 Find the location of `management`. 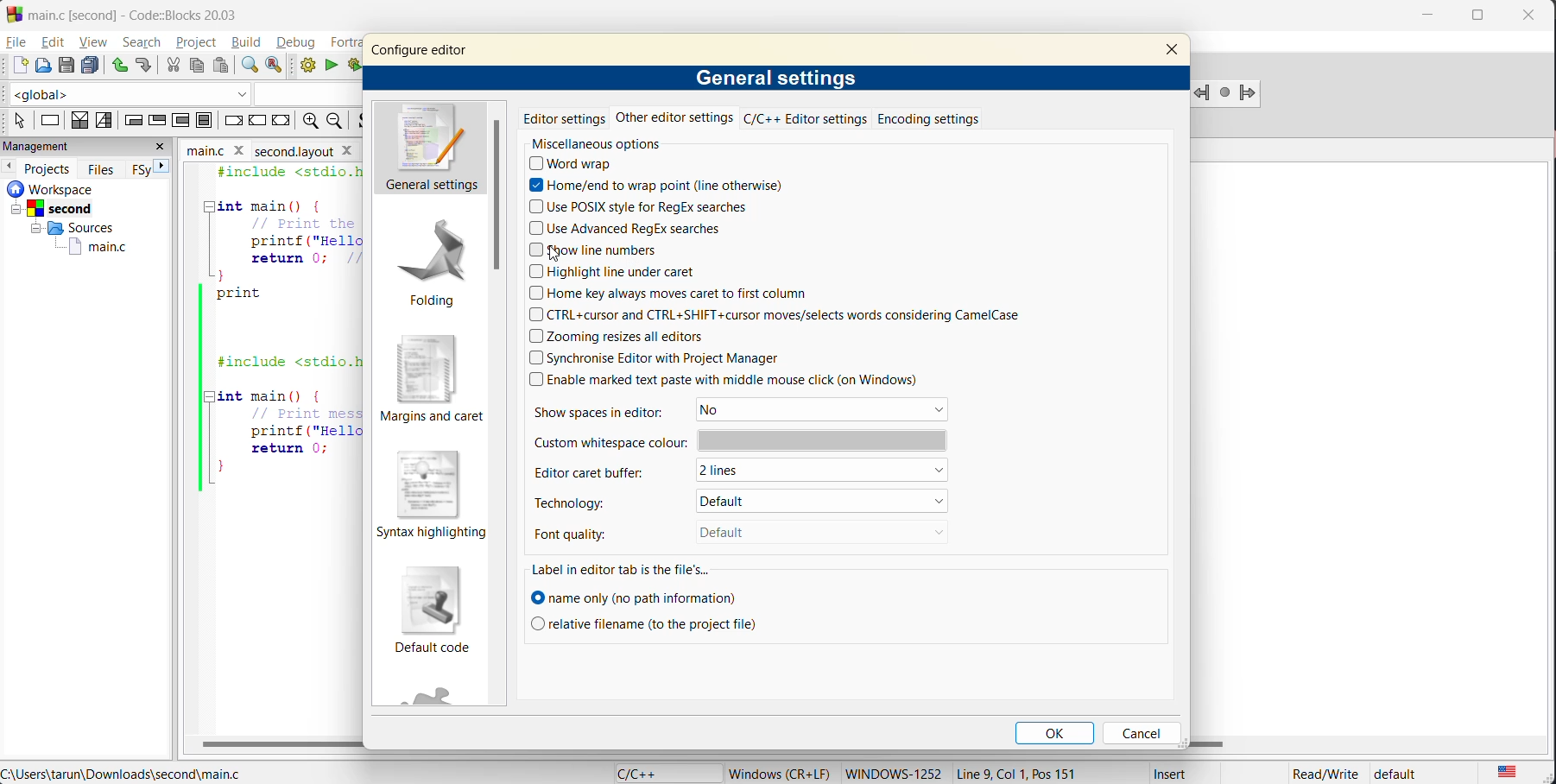

management is located at coordinates (73, 146).